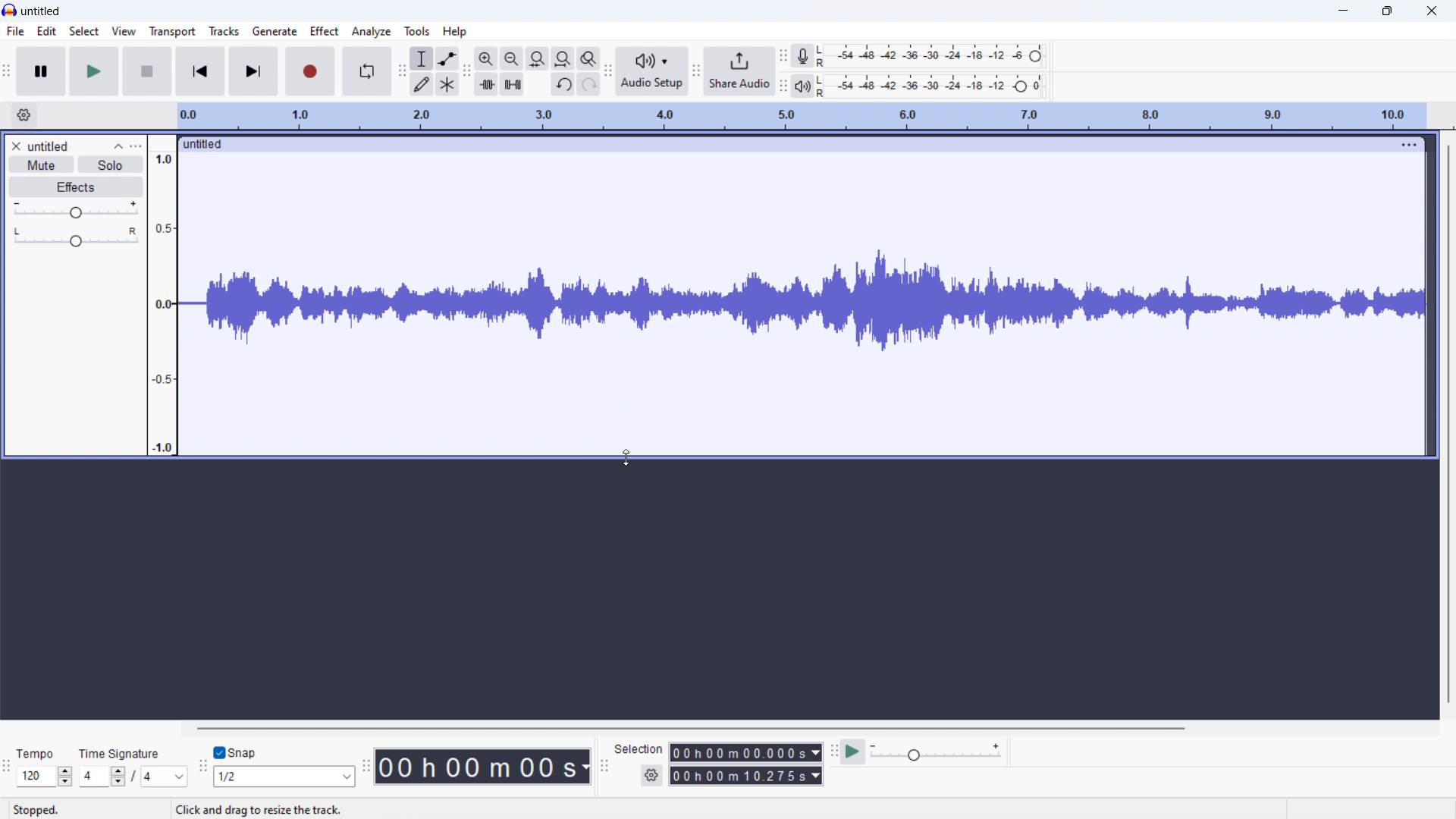 The height and width of the screenshot is (819, 1456). Describe the element at coordinates (487, 84) in the screenshot. I see `trim audio oitside selection` at that location.